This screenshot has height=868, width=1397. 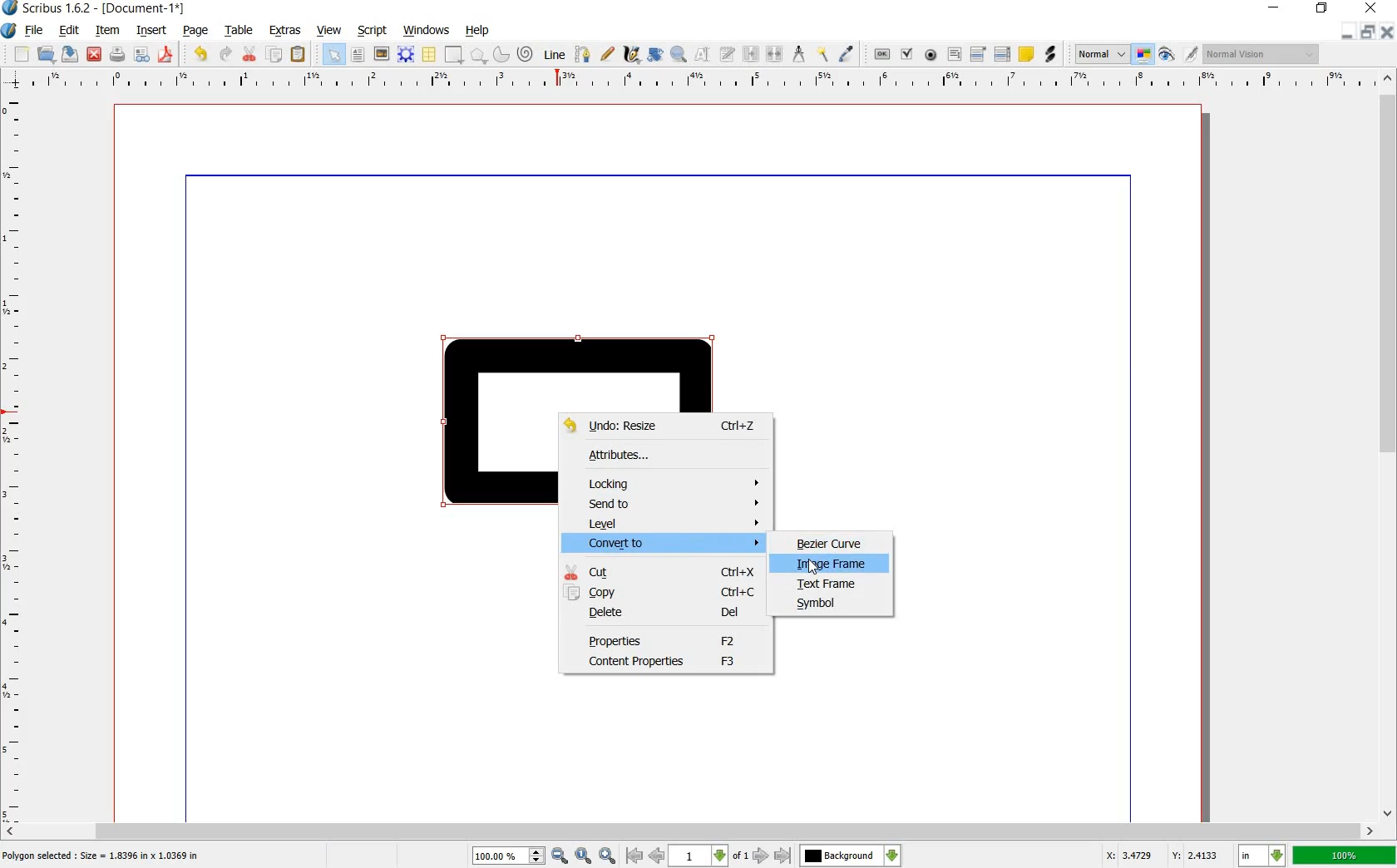 I want to click on PROPERTIES F2, so click(x=664, y=640).